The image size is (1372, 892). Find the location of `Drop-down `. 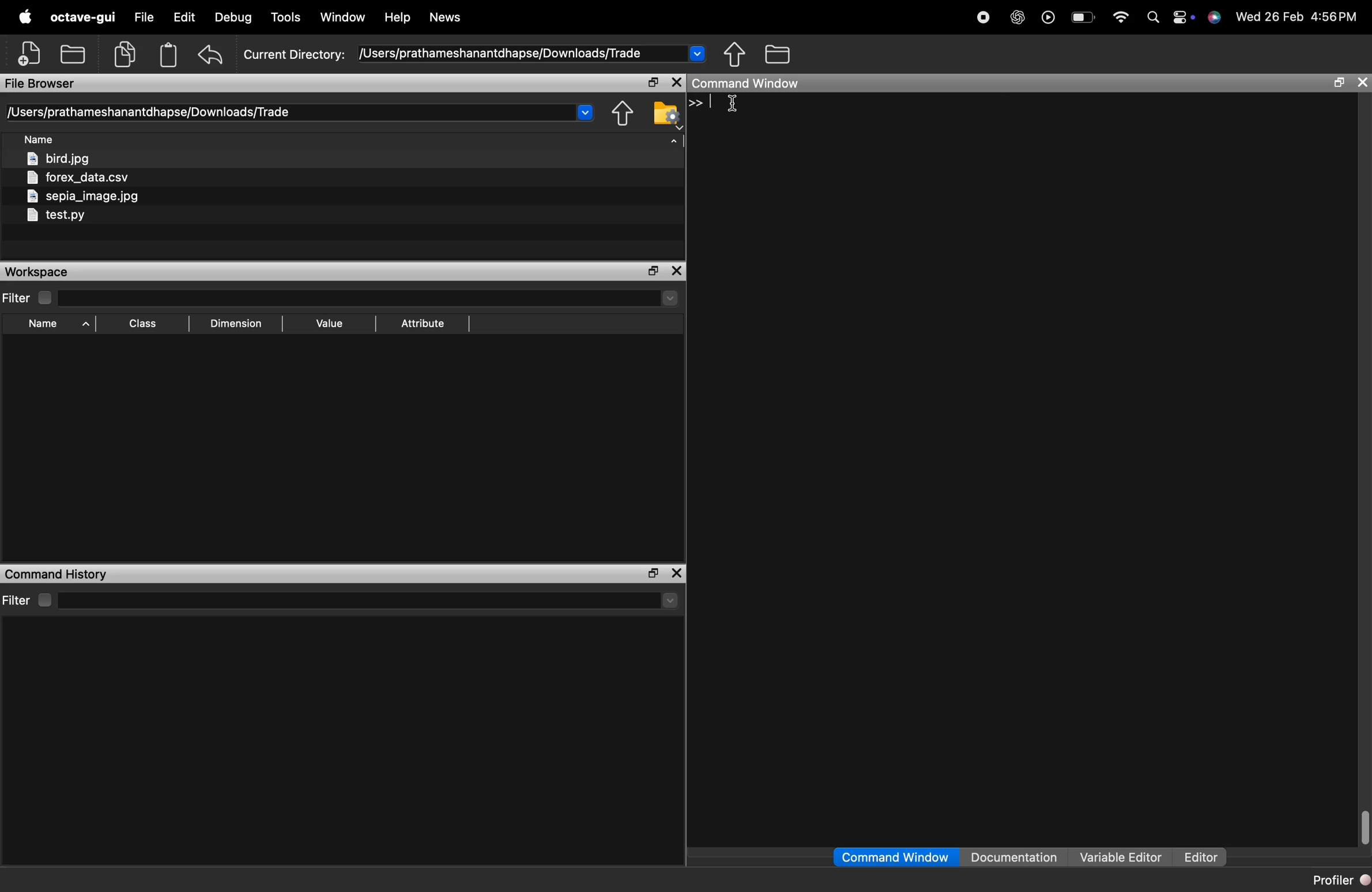

Drop-down  is located at coordinates (586, 112).